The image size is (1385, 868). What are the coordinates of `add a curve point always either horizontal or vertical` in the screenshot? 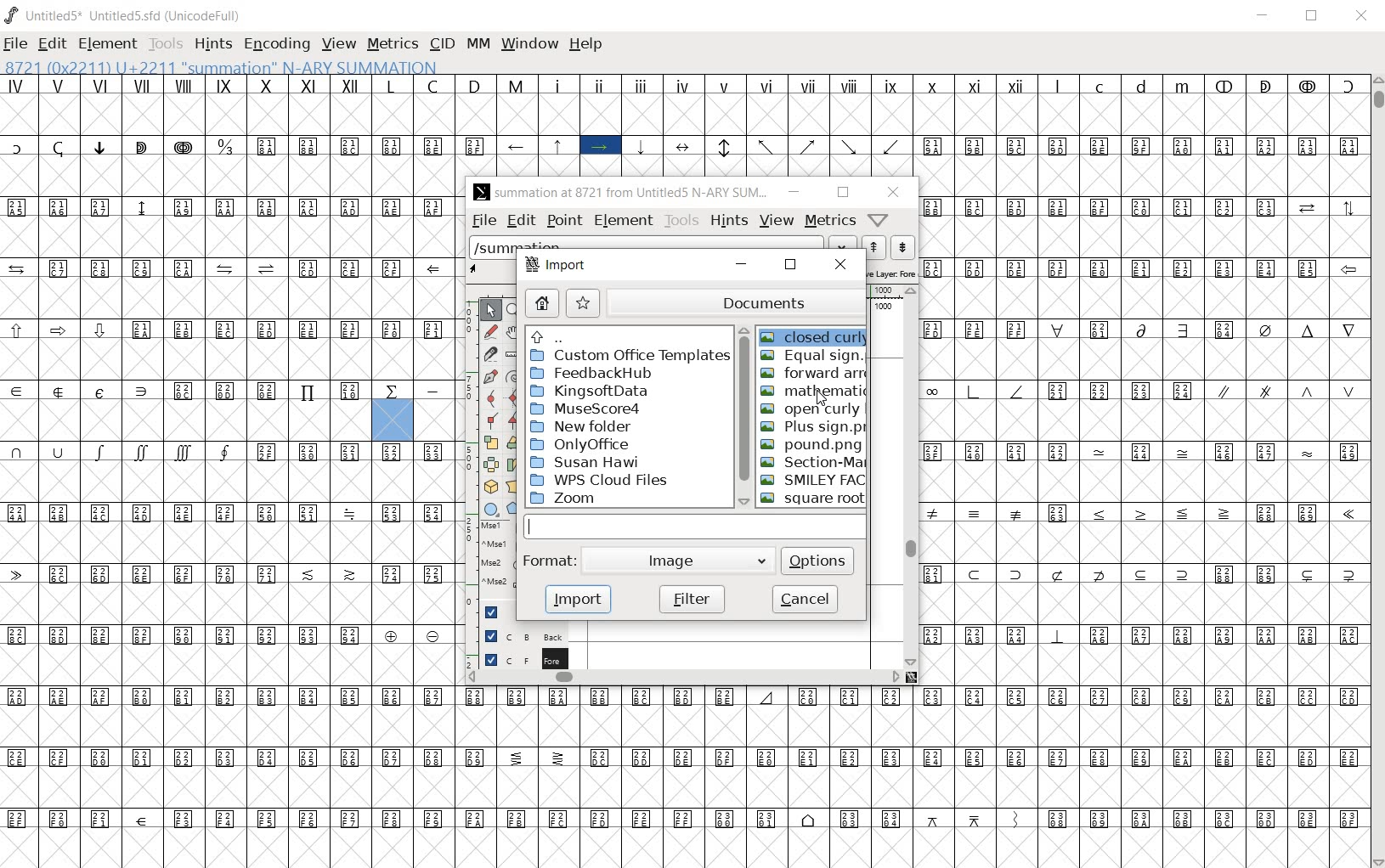 It's located at (490, 397).